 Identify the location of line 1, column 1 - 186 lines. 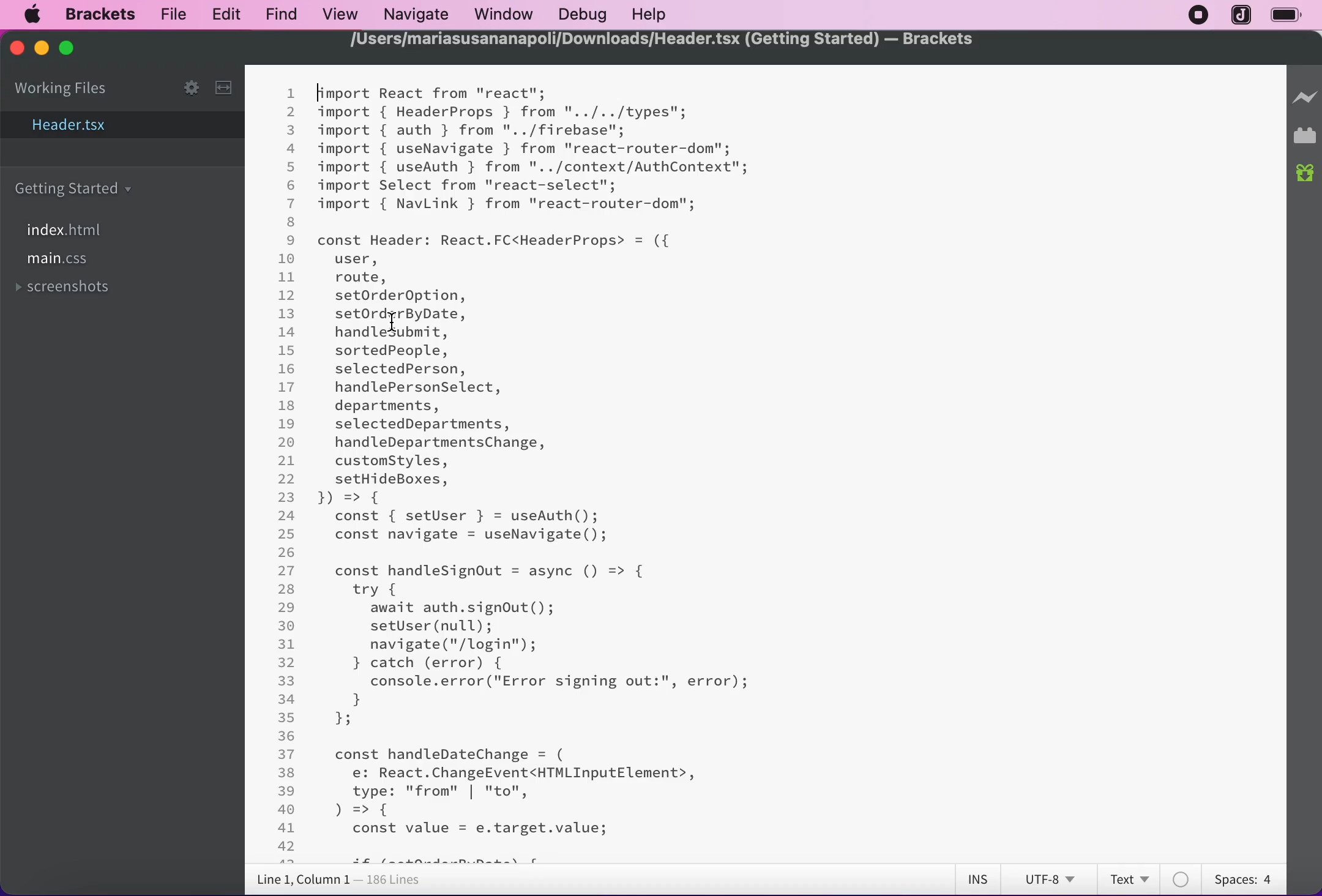
(350, 878).